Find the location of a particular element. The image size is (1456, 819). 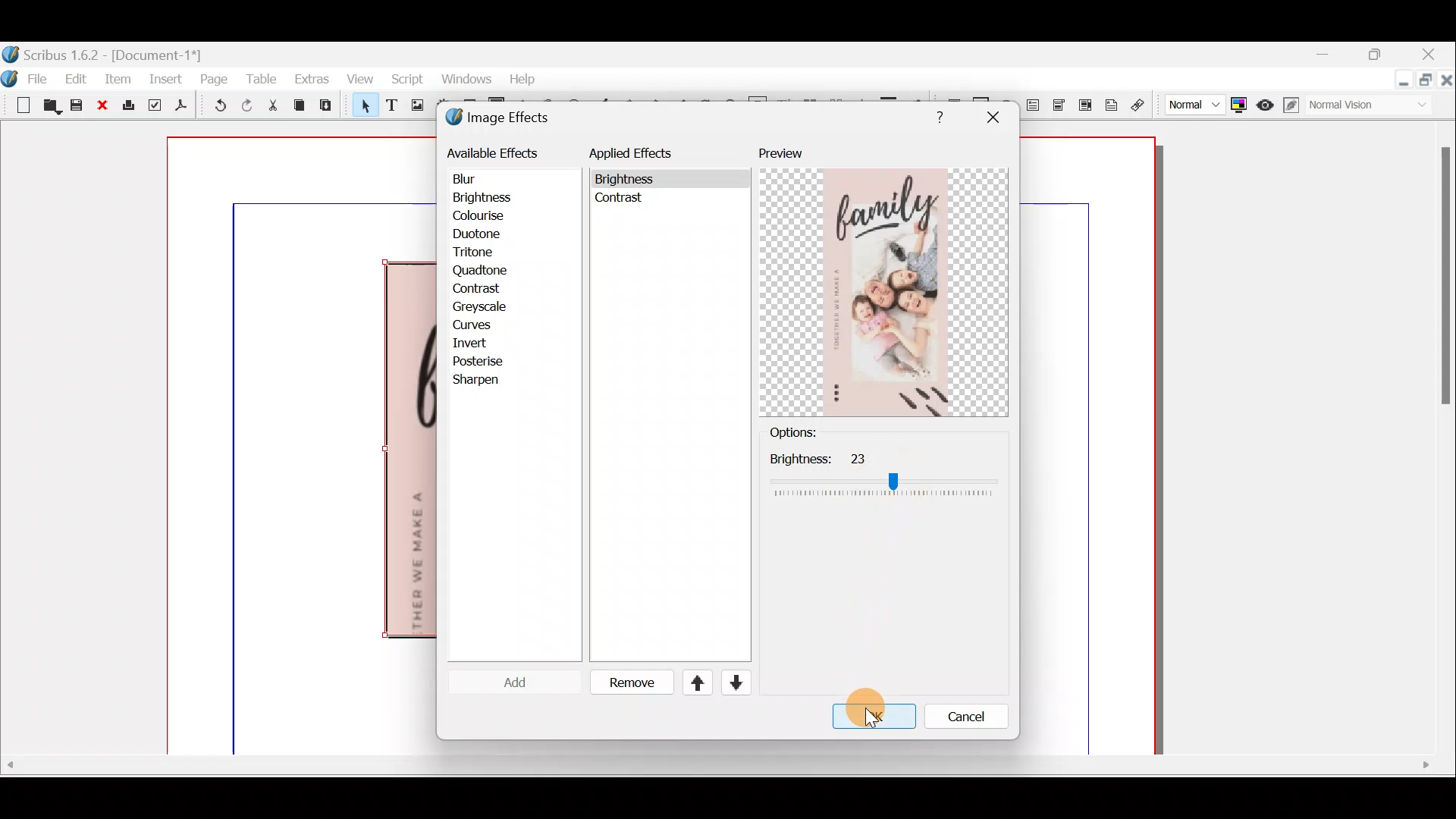

Tritone is located at coordinates (480, 254).